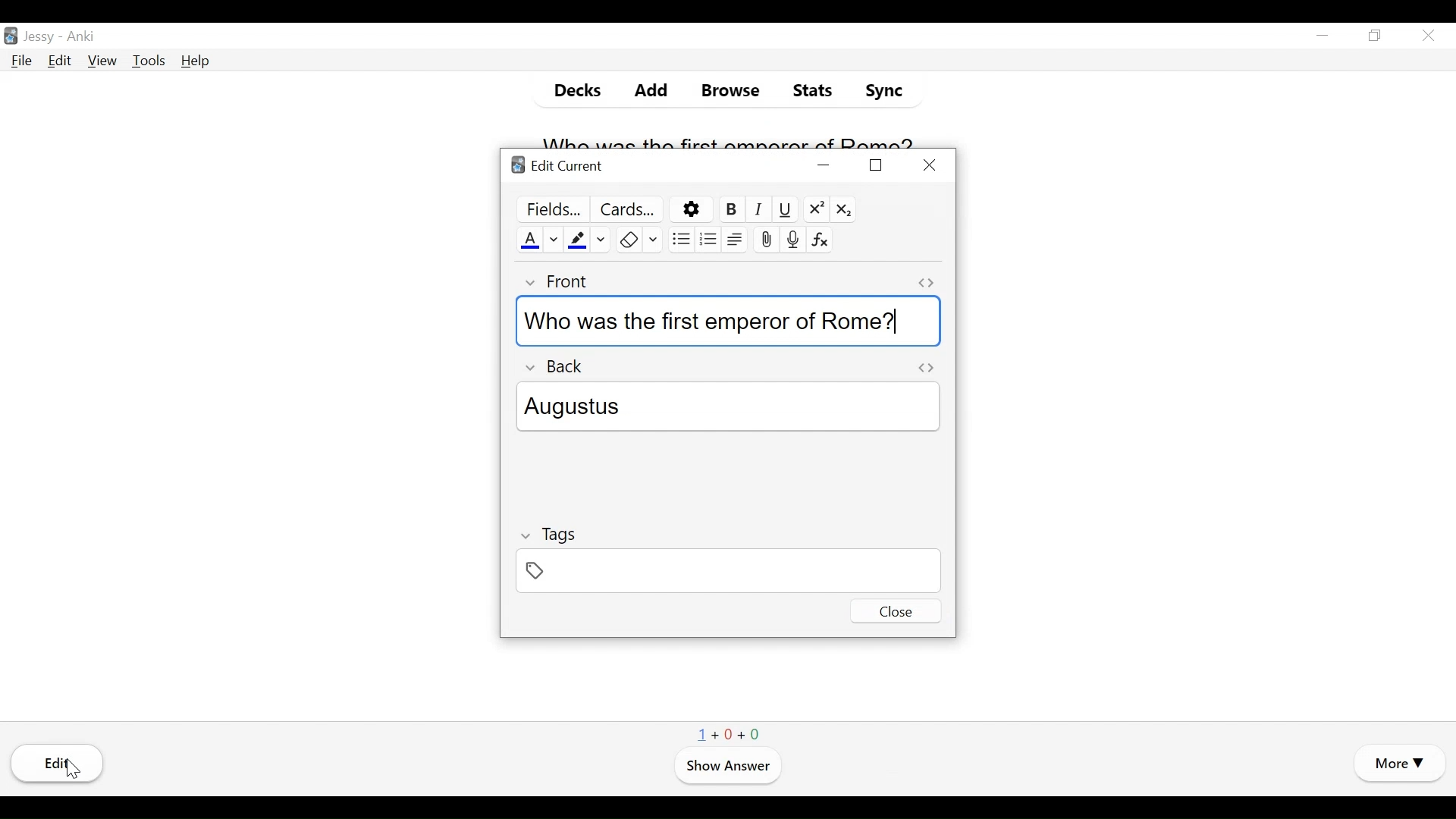 The image size is (1456, 819). I want to click on Anki, so click(83, 38).